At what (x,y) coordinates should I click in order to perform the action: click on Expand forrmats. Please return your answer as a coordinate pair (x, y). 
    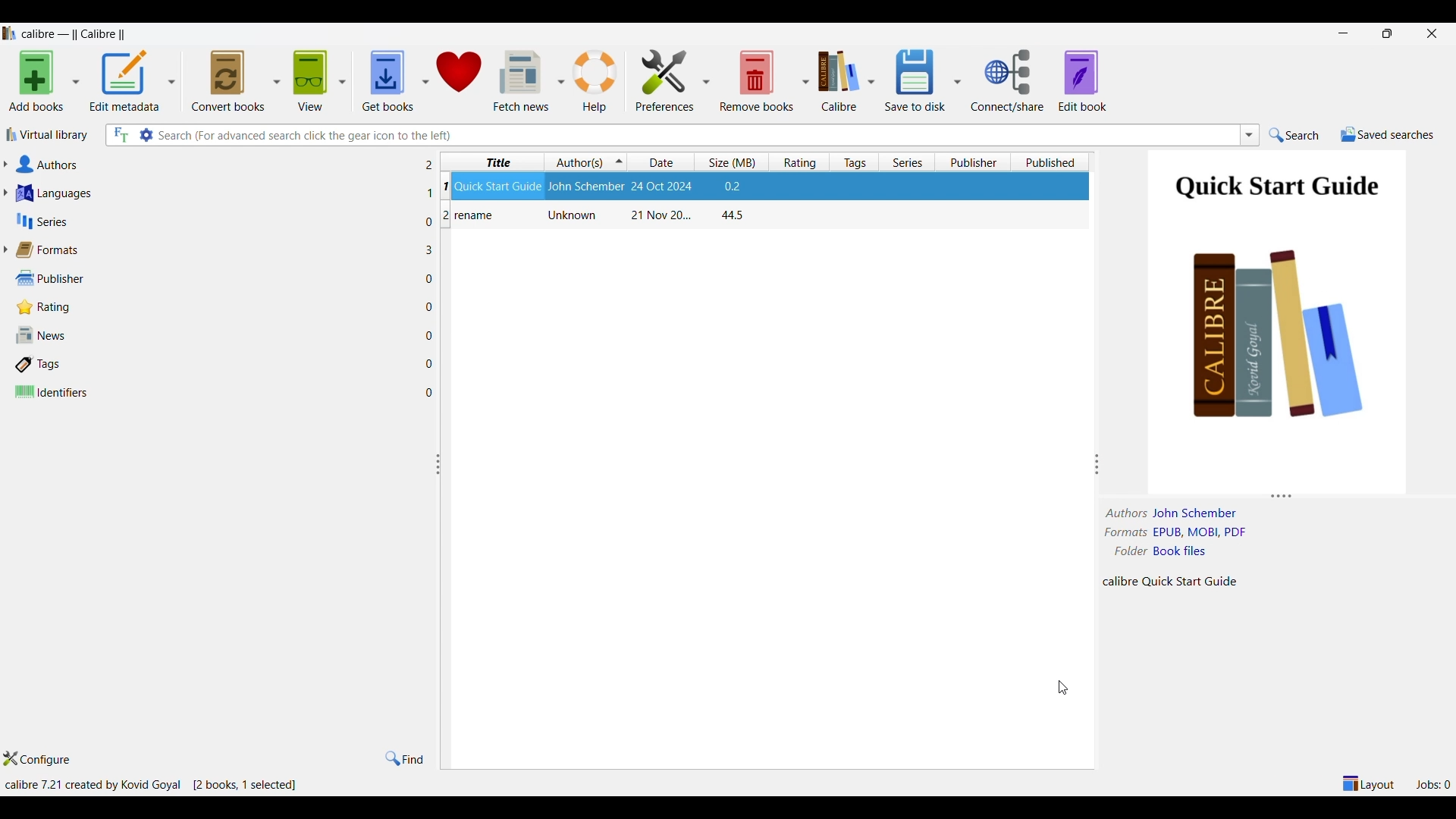
    Looking at the image, I should click on (5, 249).